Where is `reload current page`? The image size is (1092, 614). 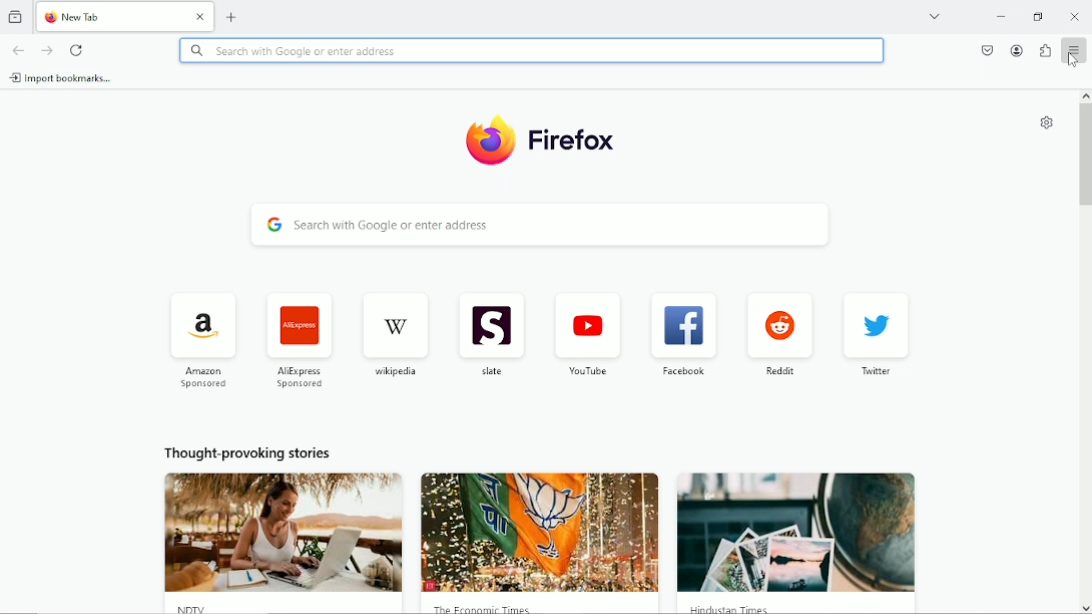
reload current page is located at coordinates (77, 49).